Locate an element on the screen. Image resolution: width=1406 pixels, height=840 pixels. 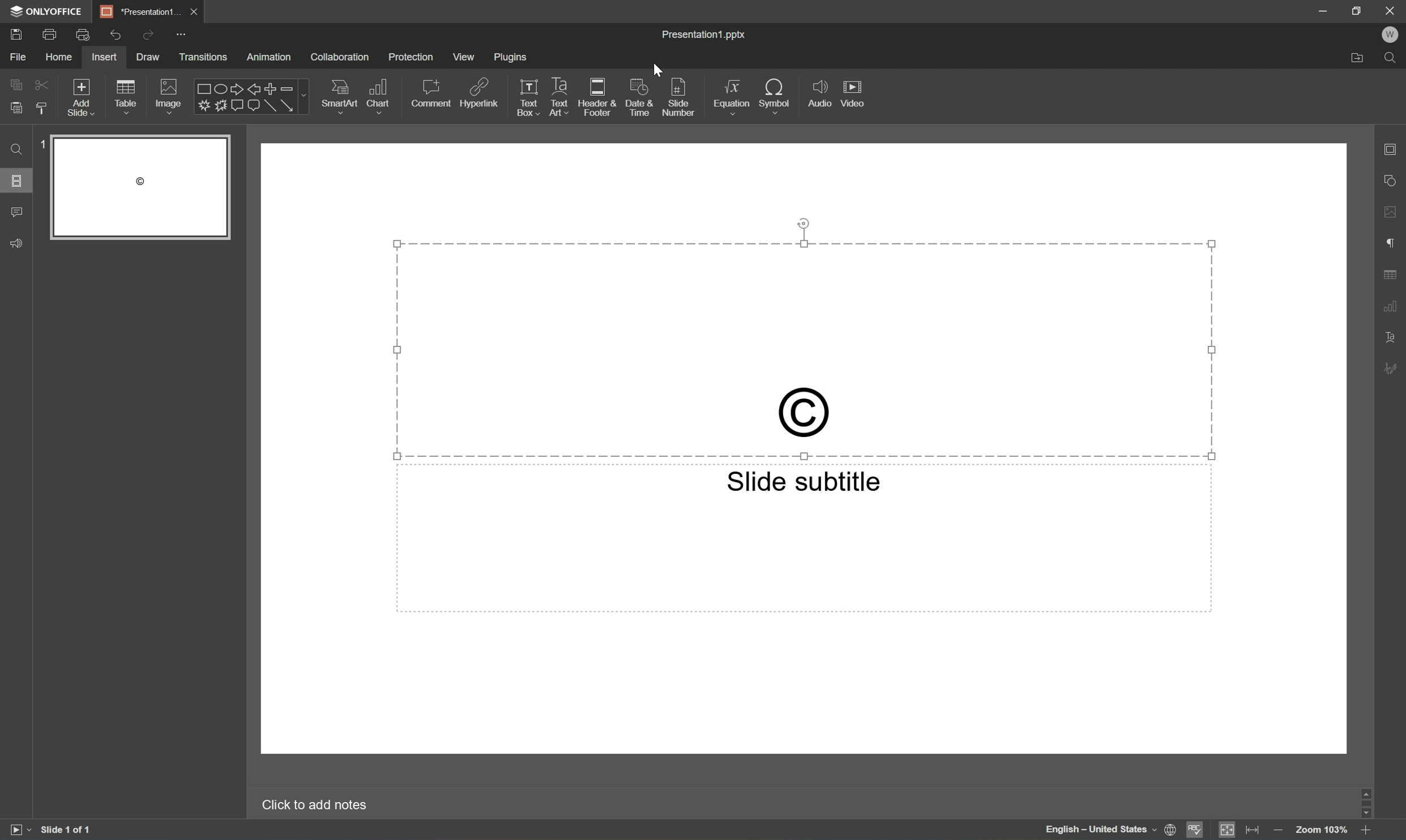
Comment is located at coordinates (433, 91).